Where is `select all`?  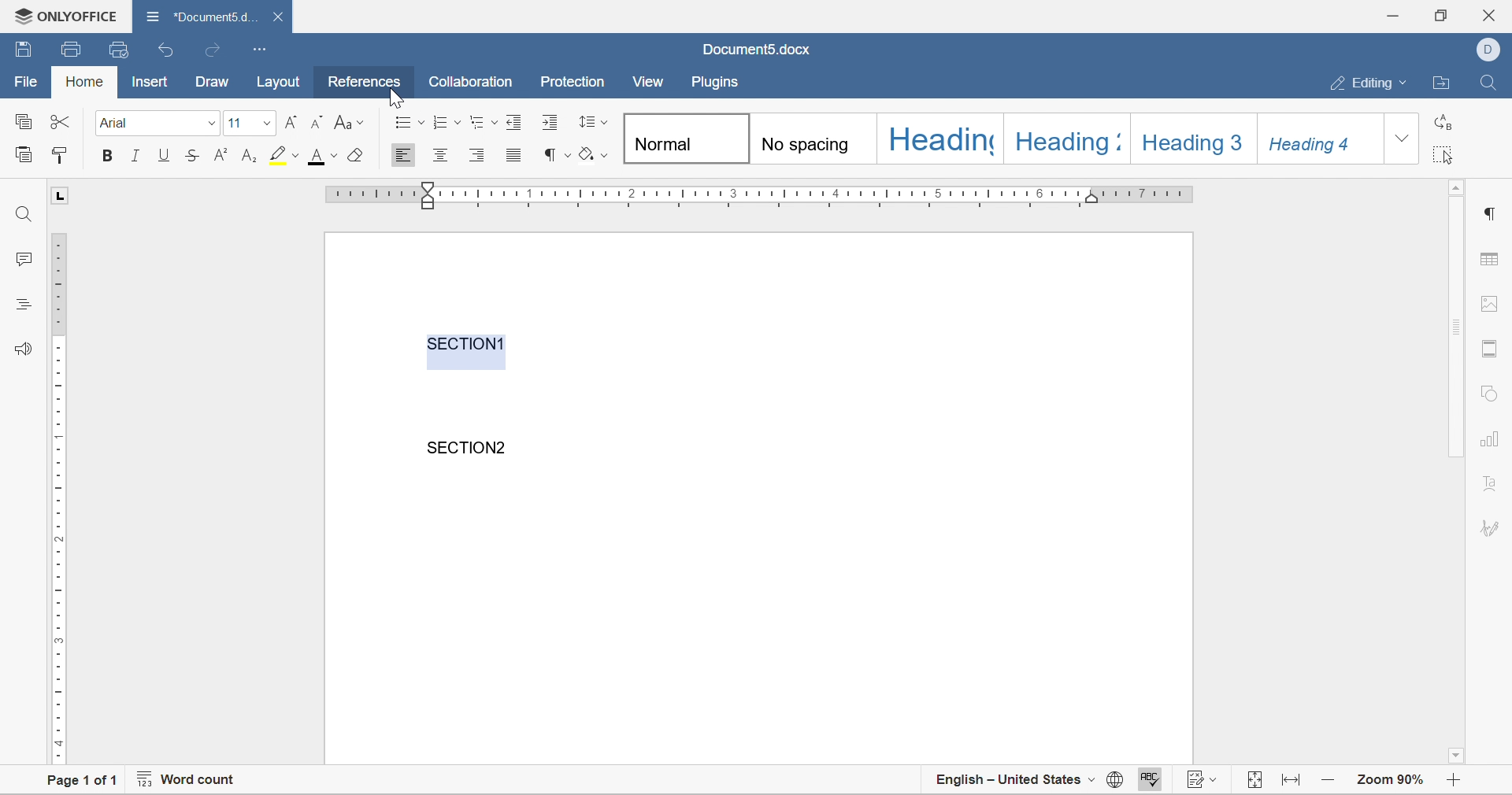 select all is located at coordinates (1443, 157).